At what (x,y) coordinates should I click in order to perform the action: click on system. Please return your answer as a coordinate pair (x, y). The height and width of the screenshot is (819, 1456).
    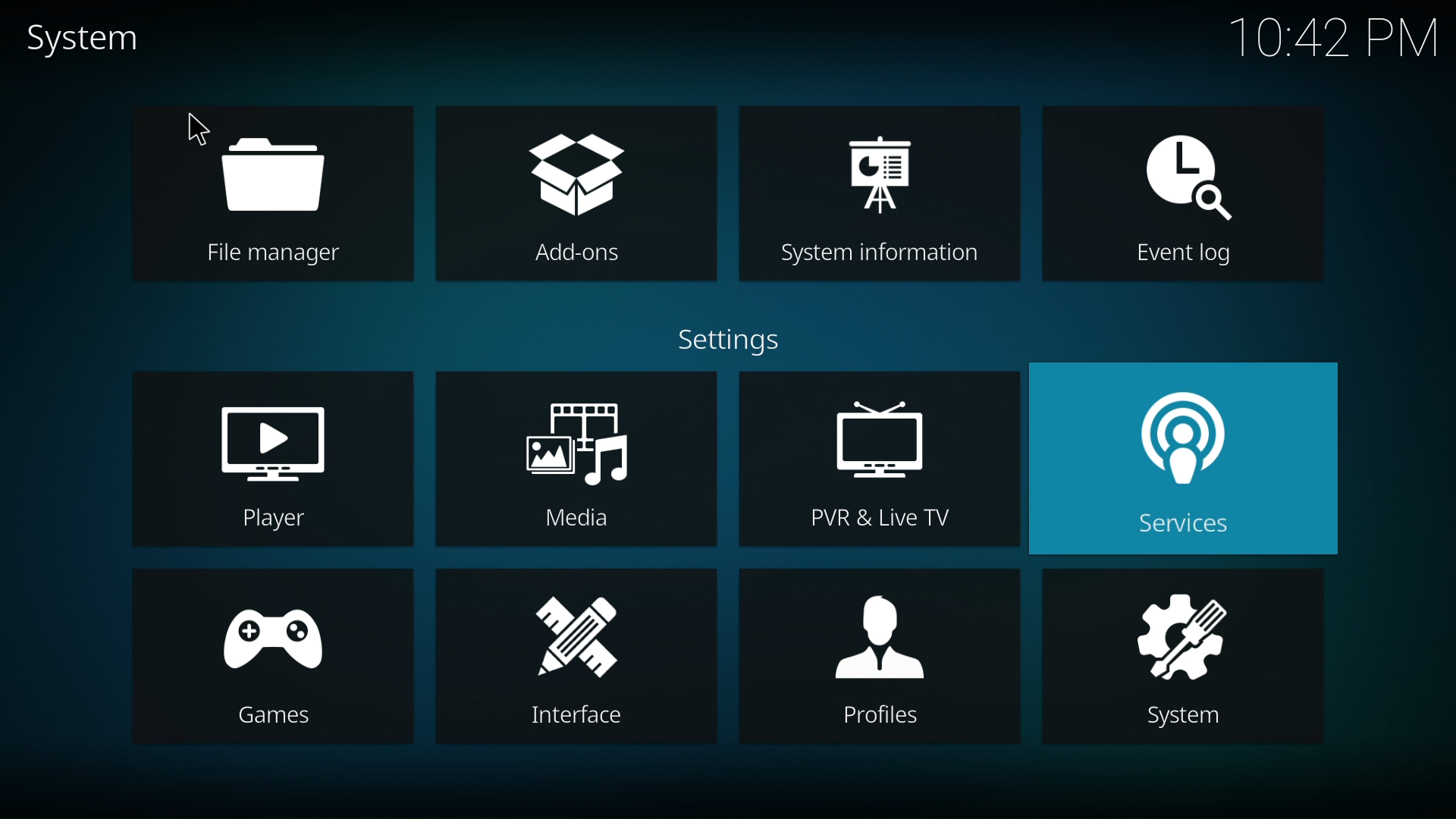
    Looking at the image, I should click on (86, 42).